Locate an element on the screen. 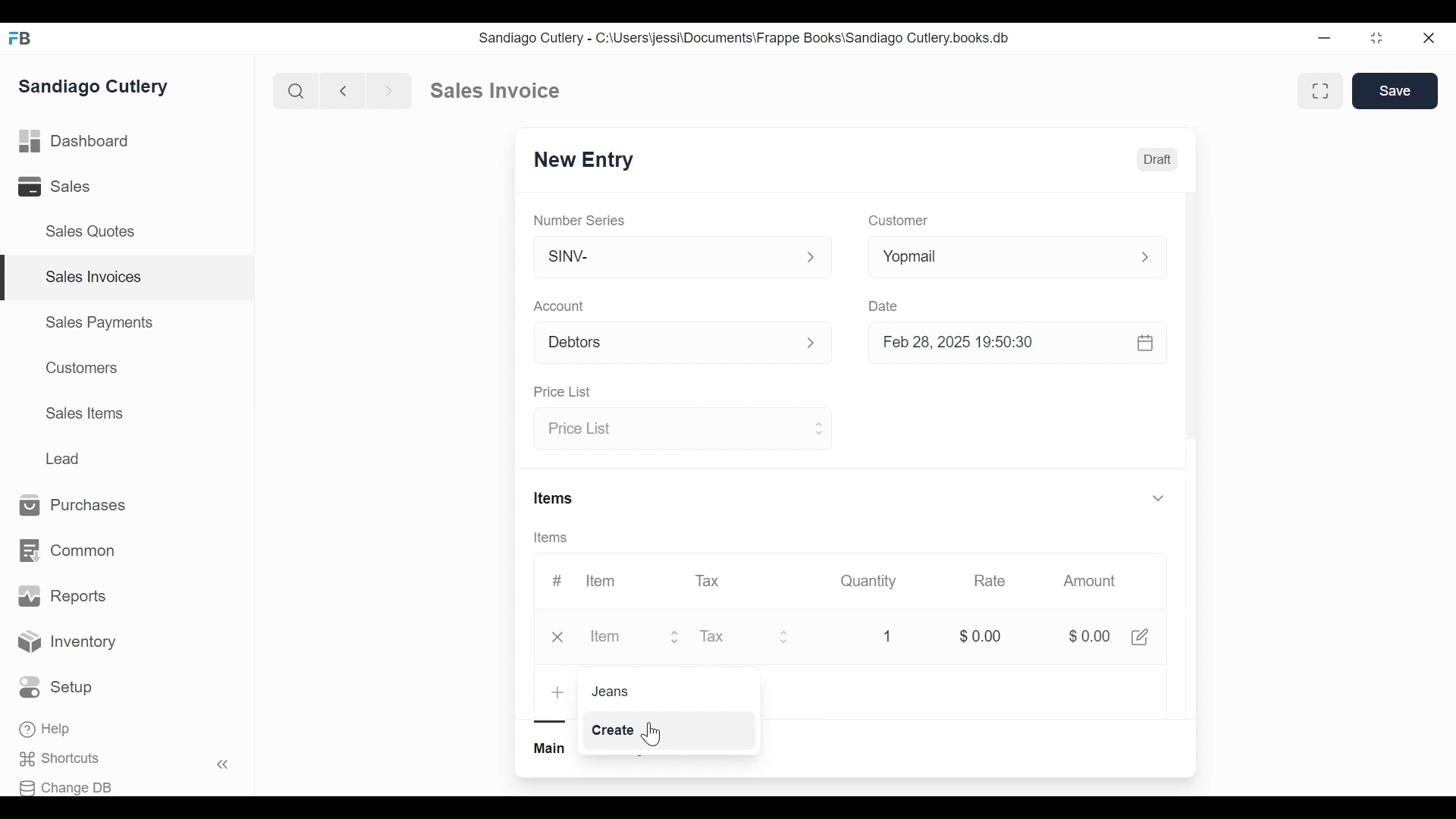 The width and height of the screenshot is (1456, 819). Shortcuts is located at coordinates (65, 759).